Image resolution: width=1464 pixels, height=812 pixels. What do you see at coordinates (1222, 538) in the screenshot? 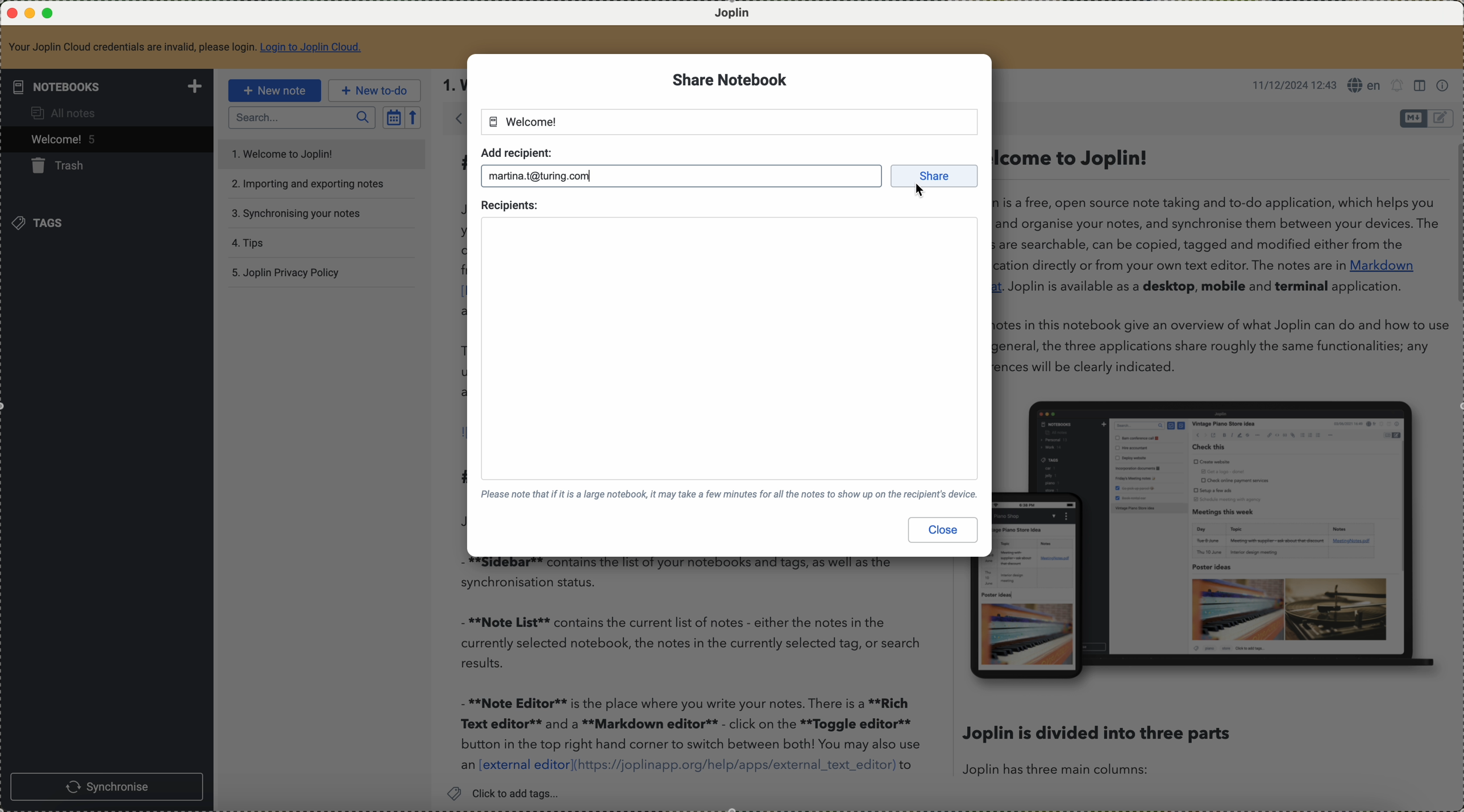
I see `image` at bounding box center [1222, 538].